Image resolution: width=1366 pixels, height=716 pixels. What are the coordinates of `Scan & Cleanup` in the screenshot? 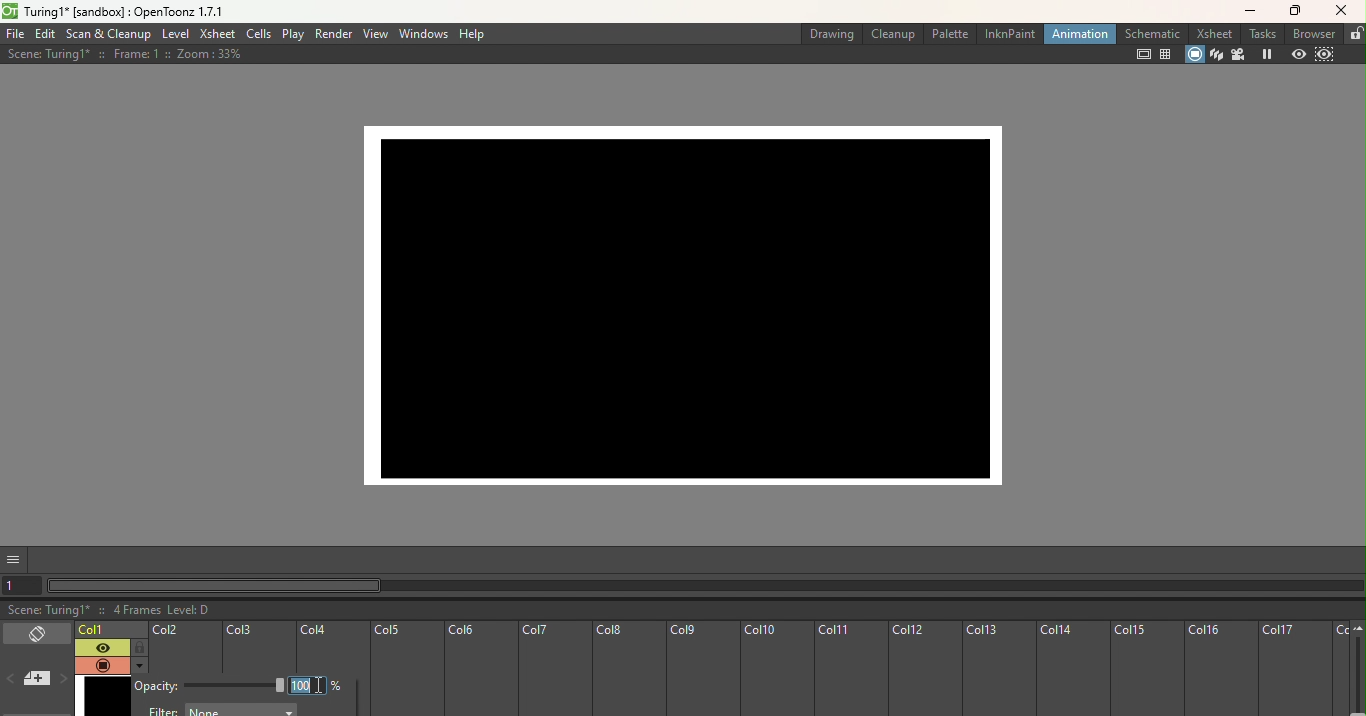 It's located at (109, 34).